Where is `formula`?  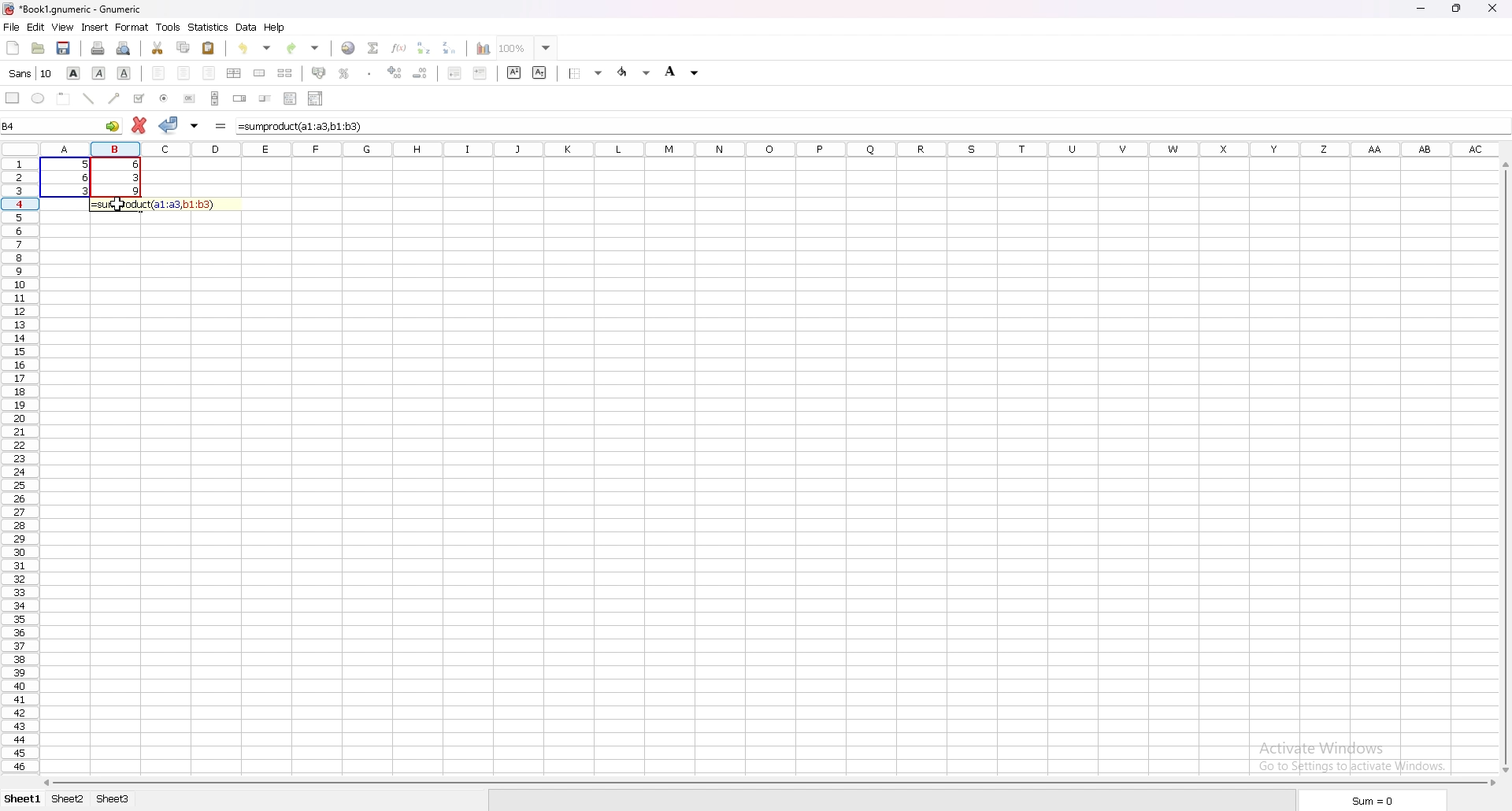
formula is located at coordinates (219, 128).